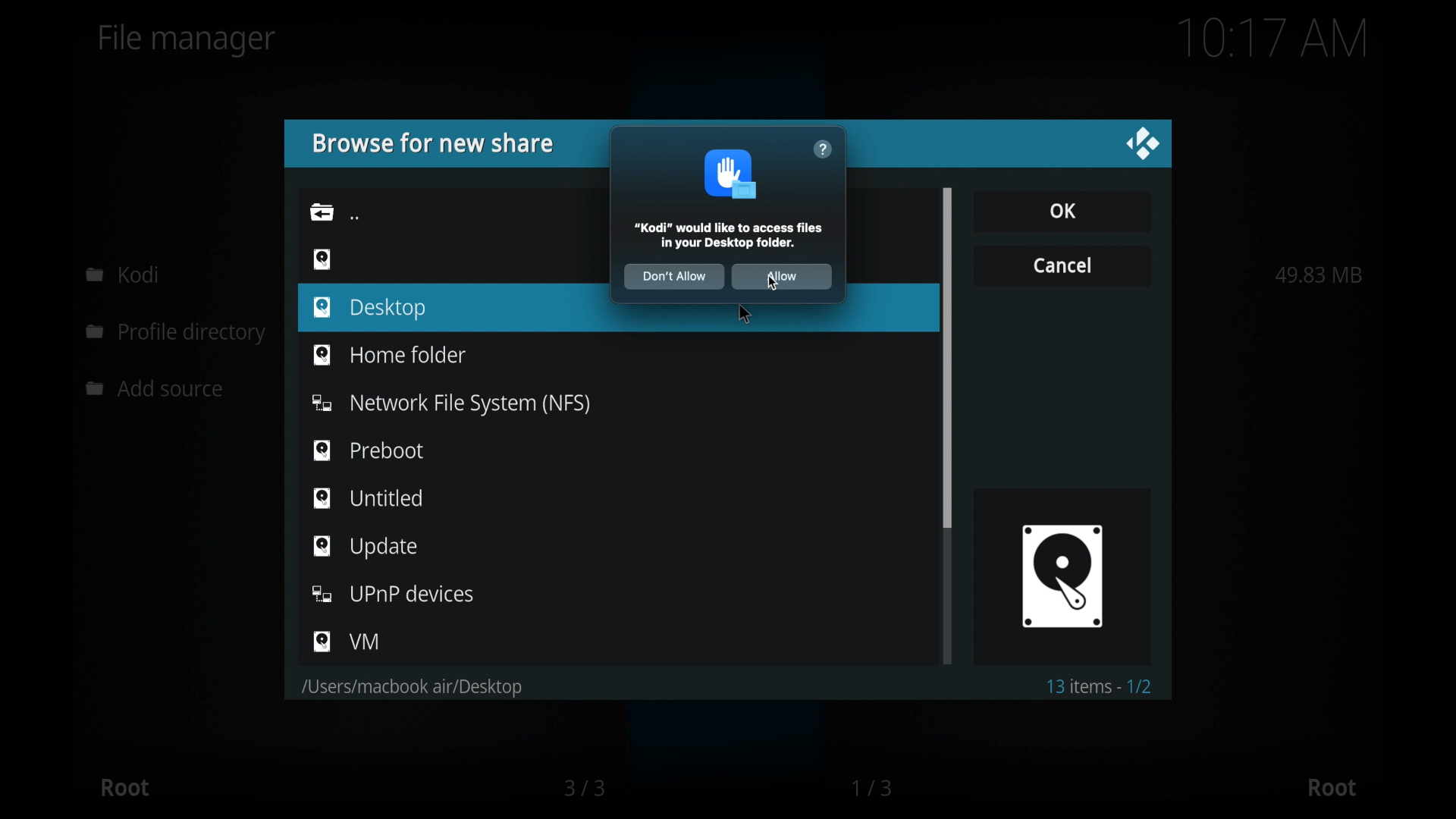 This screenshot has width=1456, height=819. What do you see at coordinates (369, 497) in the screenshot?
I see `untitled` at bounding box center [369, 497].